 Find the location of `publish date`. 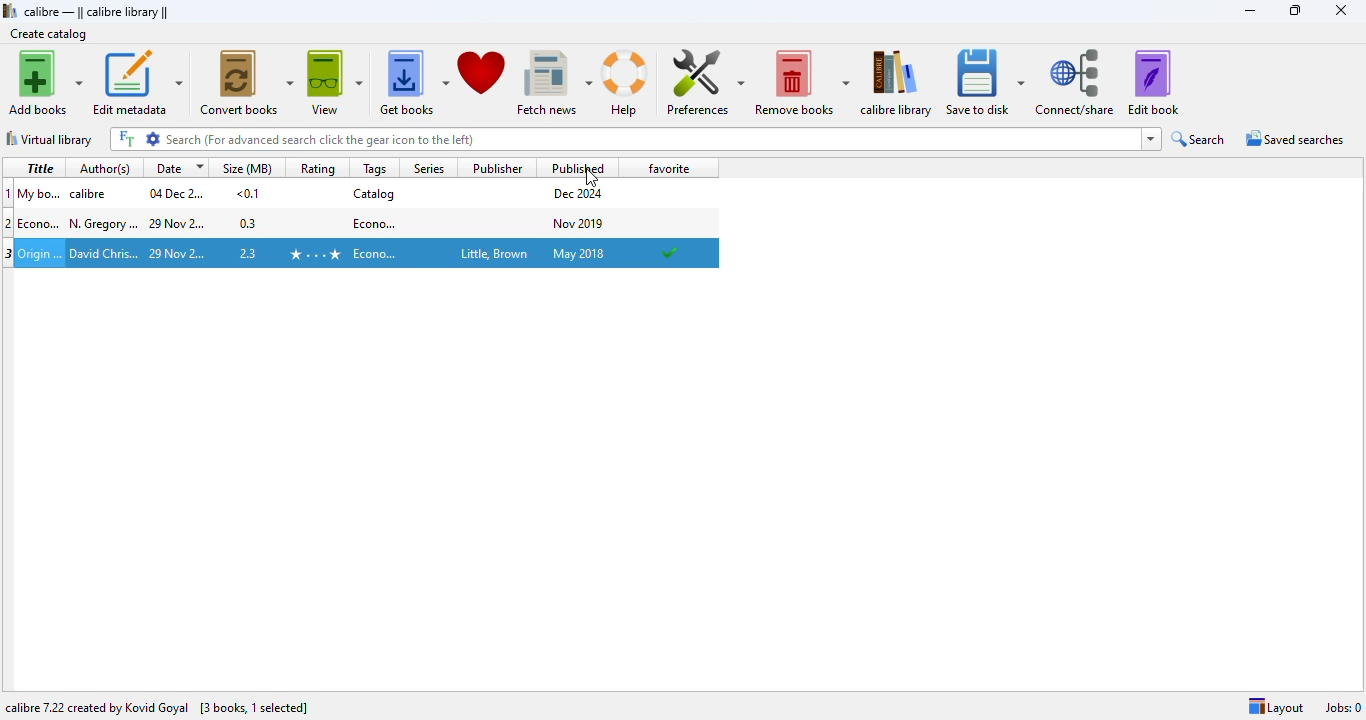

publish date is located at coordinates (579, 254).